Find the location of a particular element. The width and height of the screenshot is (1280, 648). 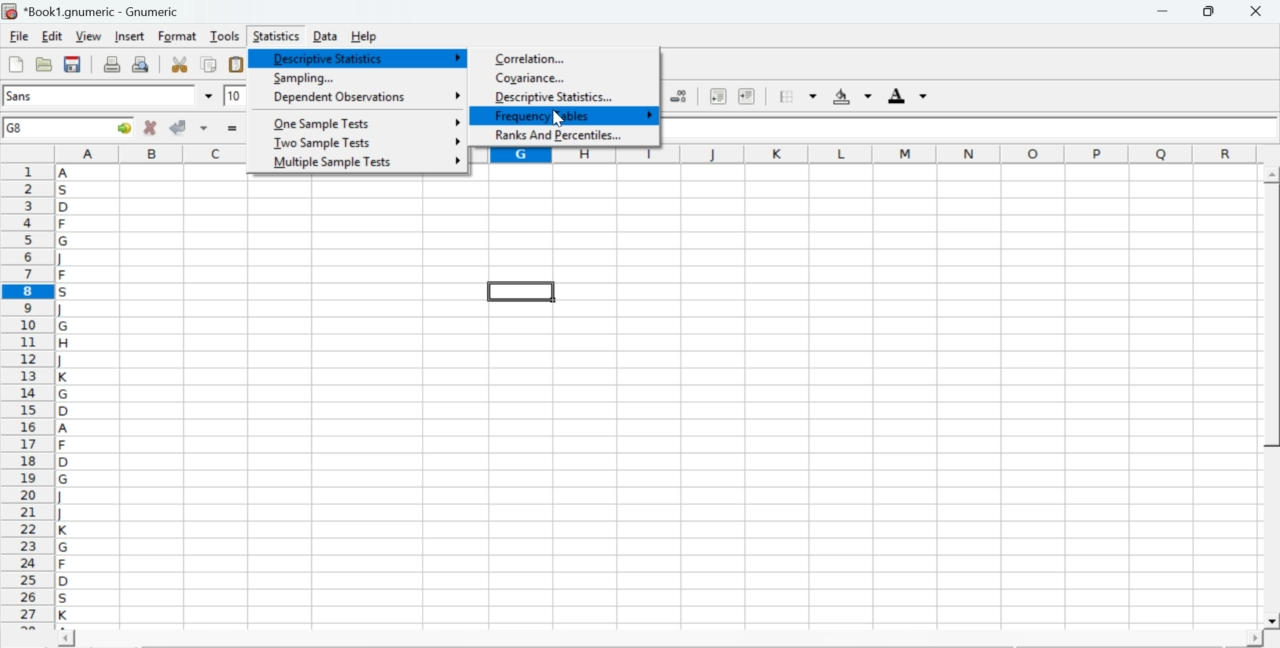

close is located at coordinates (1254, 11).